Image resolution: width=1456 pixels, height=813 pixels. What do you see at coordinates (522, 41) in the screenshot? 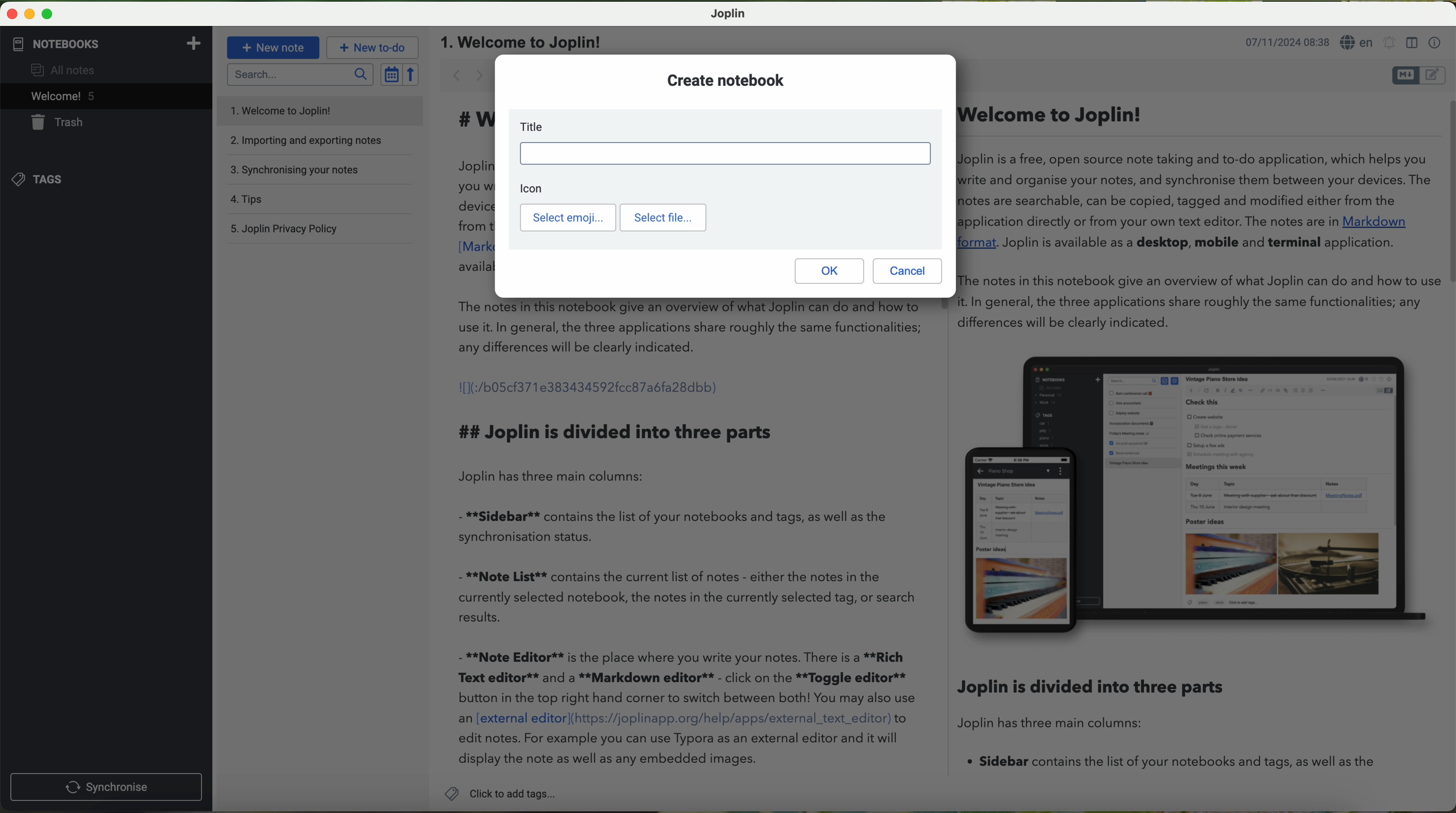
I see `name file` at bounding box center [522, 41].